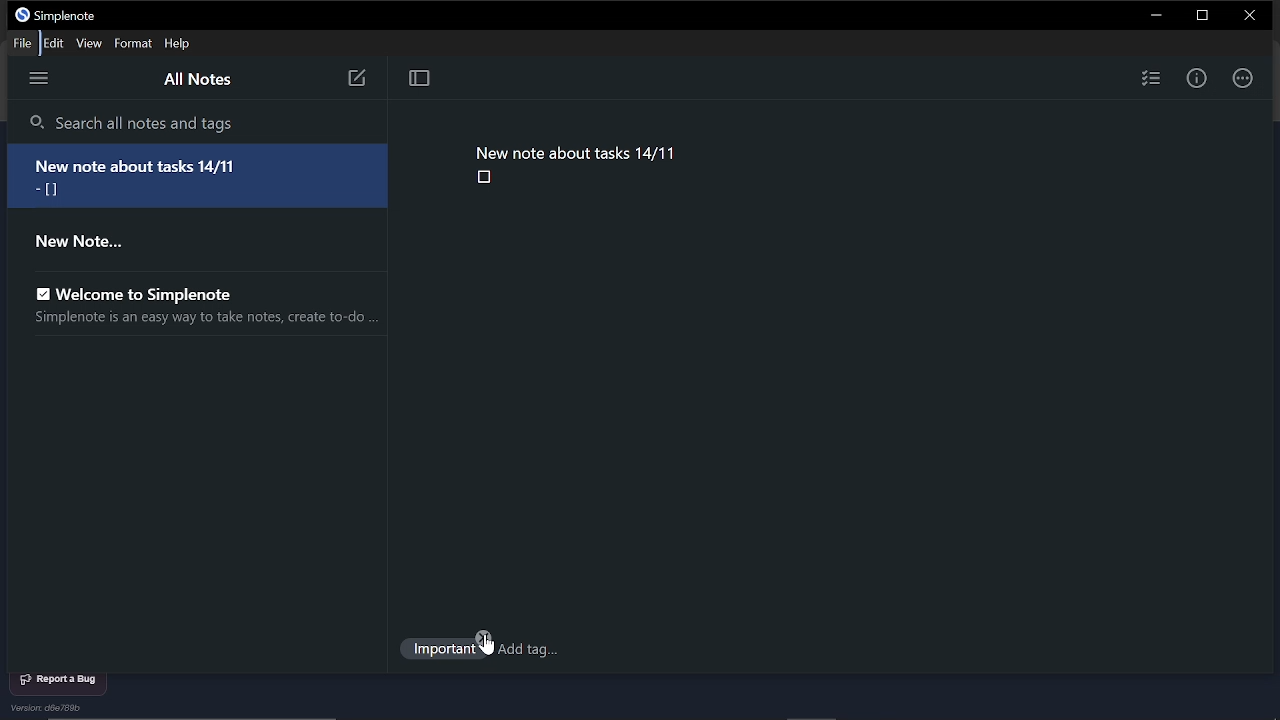  Describe the element at coordinates (134, 43) in the screenshot. I see `Format` at that location.